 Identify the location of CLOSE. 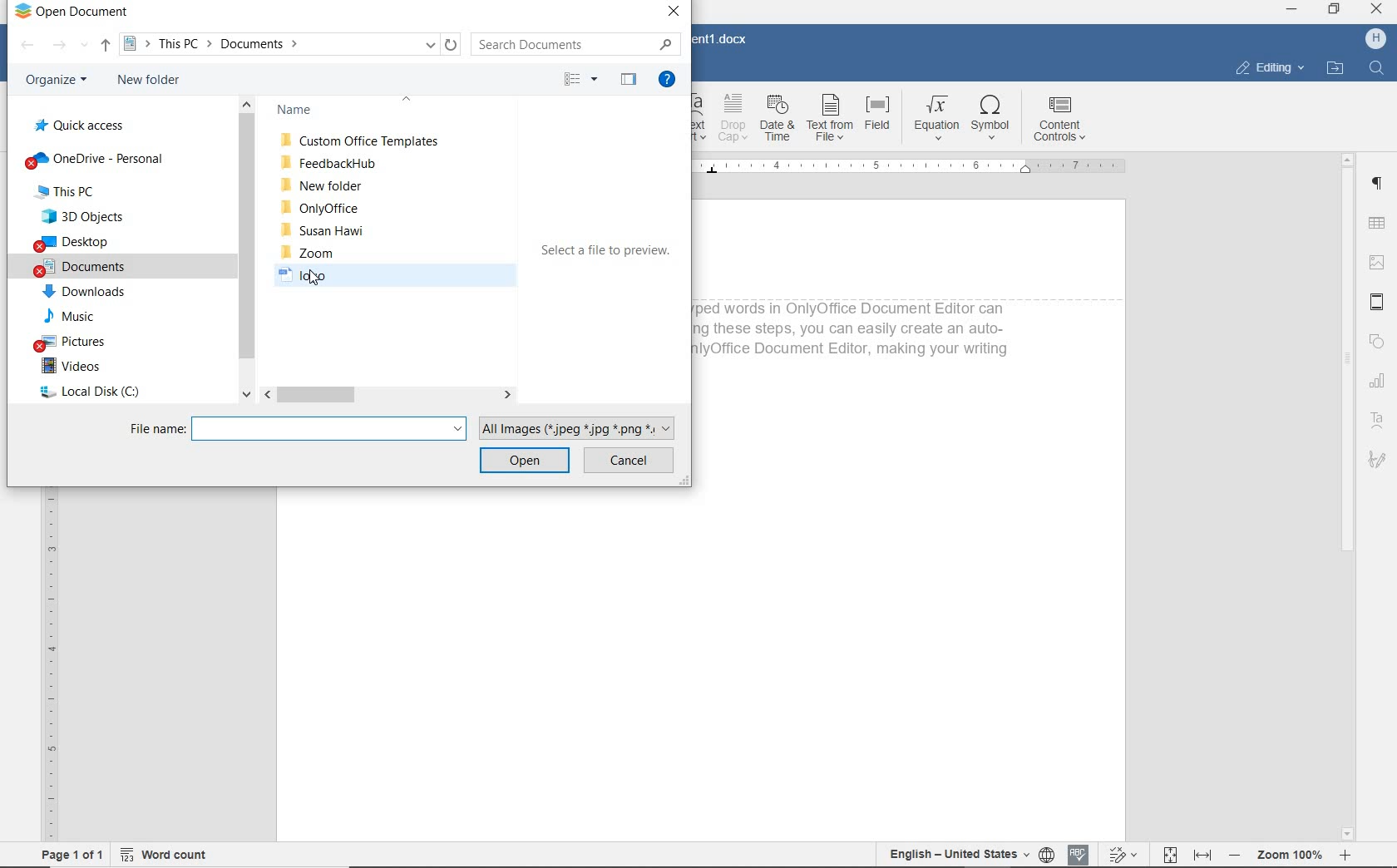
(674, 12).